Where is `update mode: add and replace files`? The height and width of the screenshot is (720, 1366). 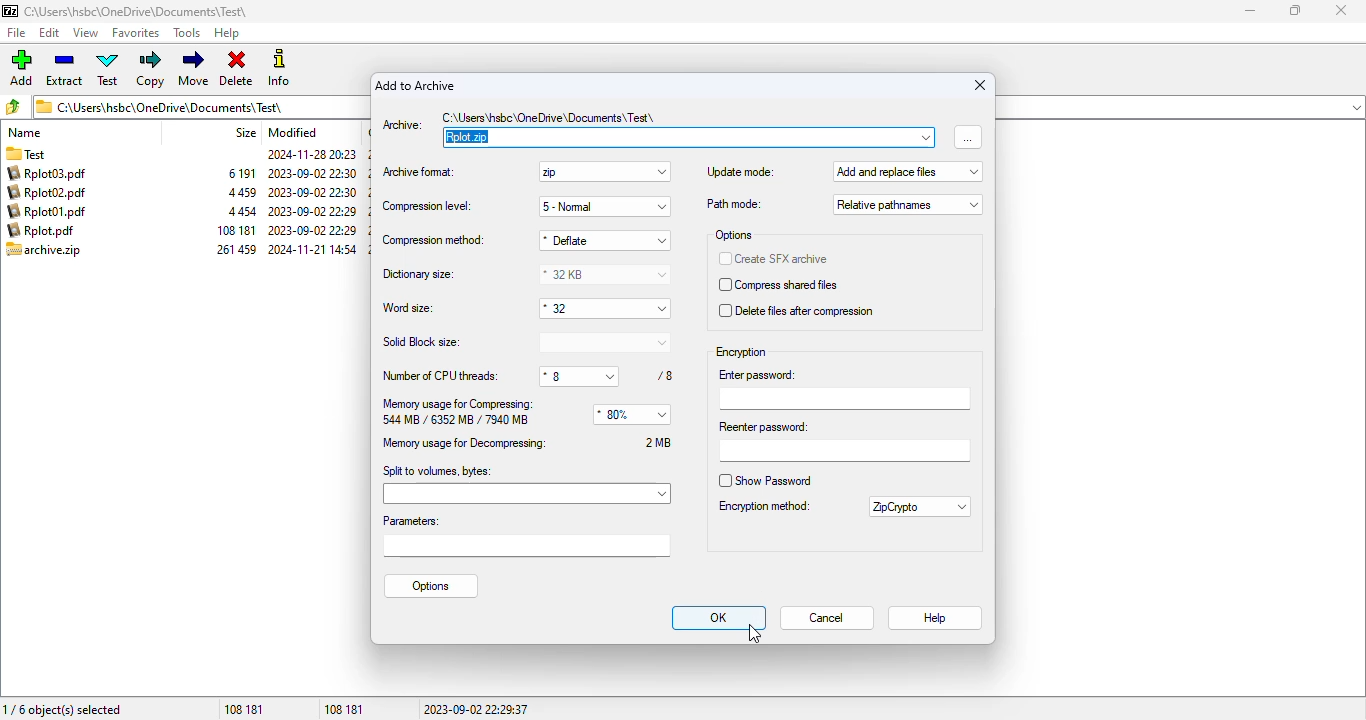 update mode: add and replace files is located at coordinates (842, 172).